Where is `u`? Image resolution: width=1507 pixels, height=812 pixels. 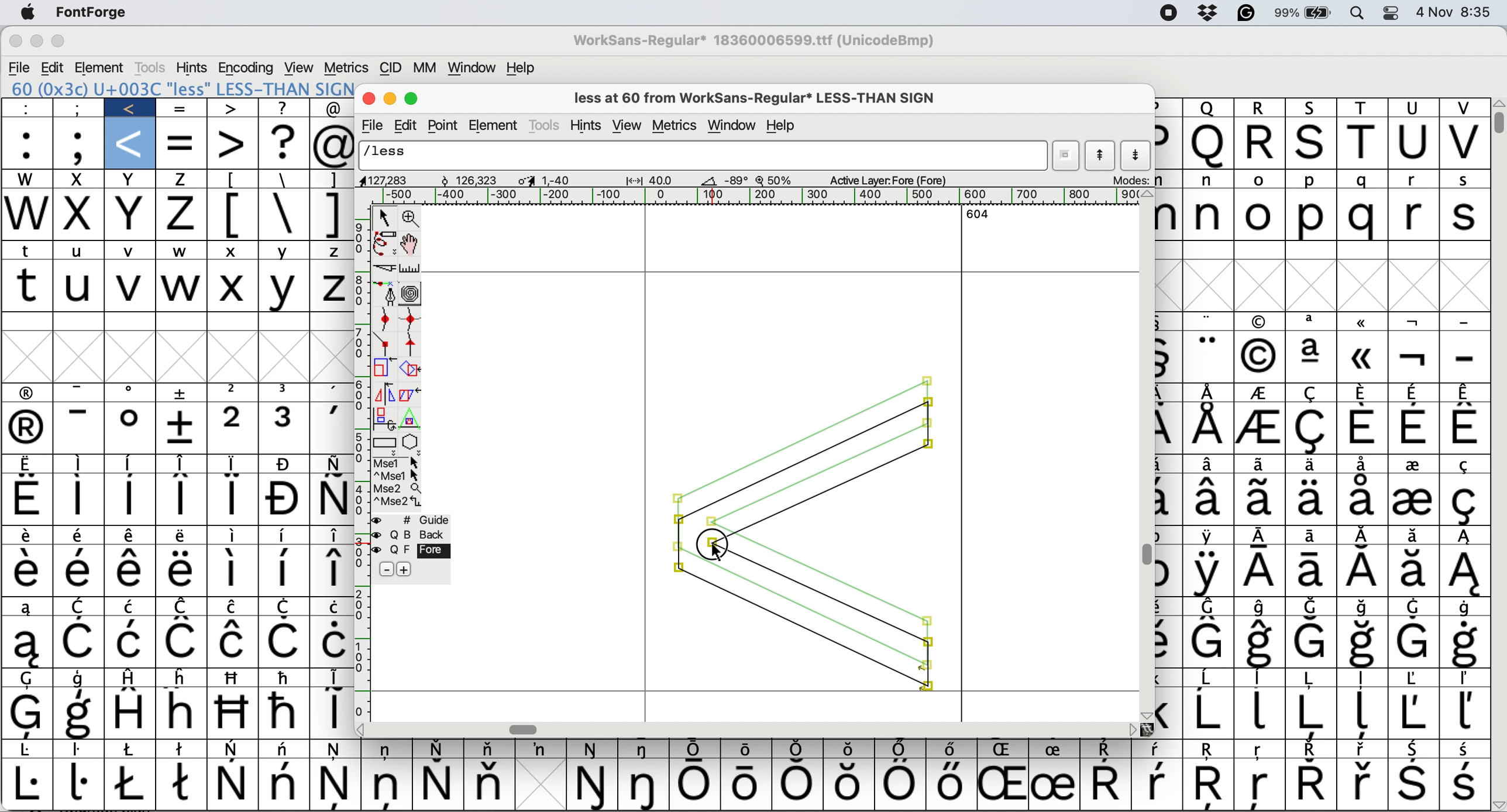 u is located at coordinates (80, 287).